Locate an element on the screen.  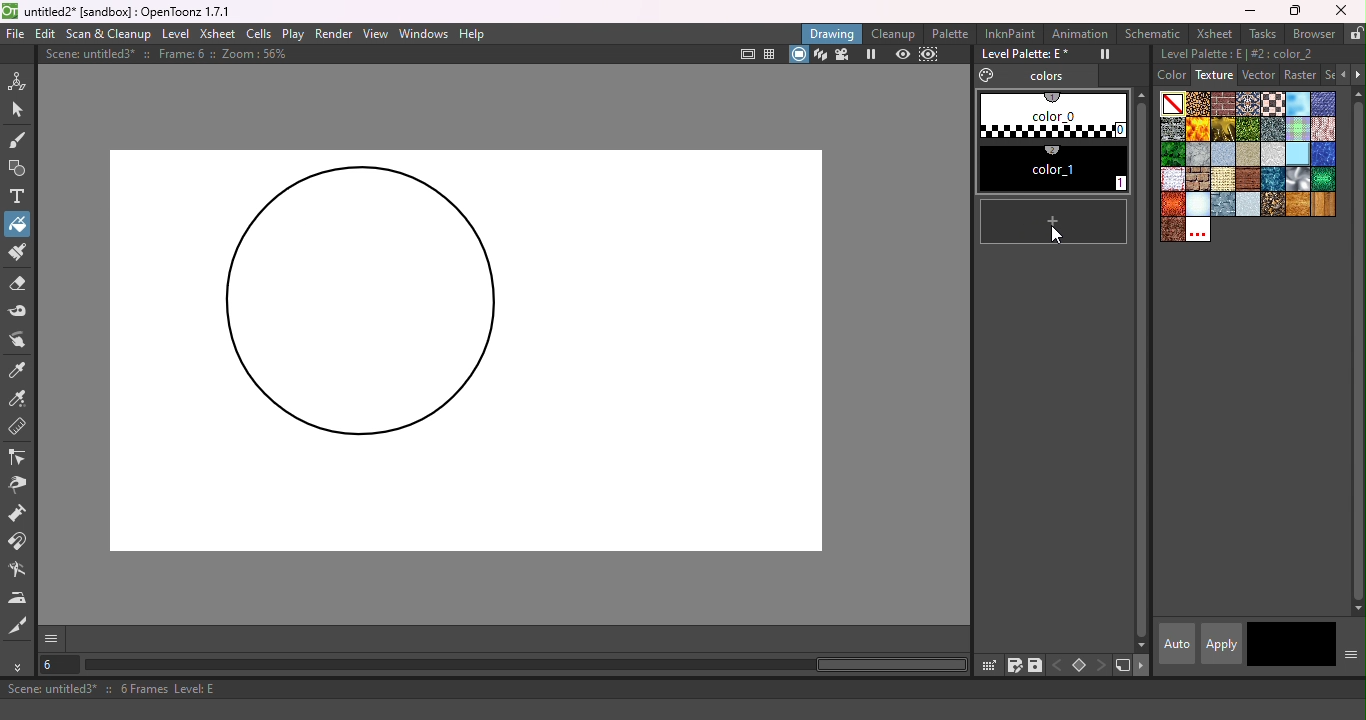
Brickwork.bmp is located at coordinates (1224, 103).